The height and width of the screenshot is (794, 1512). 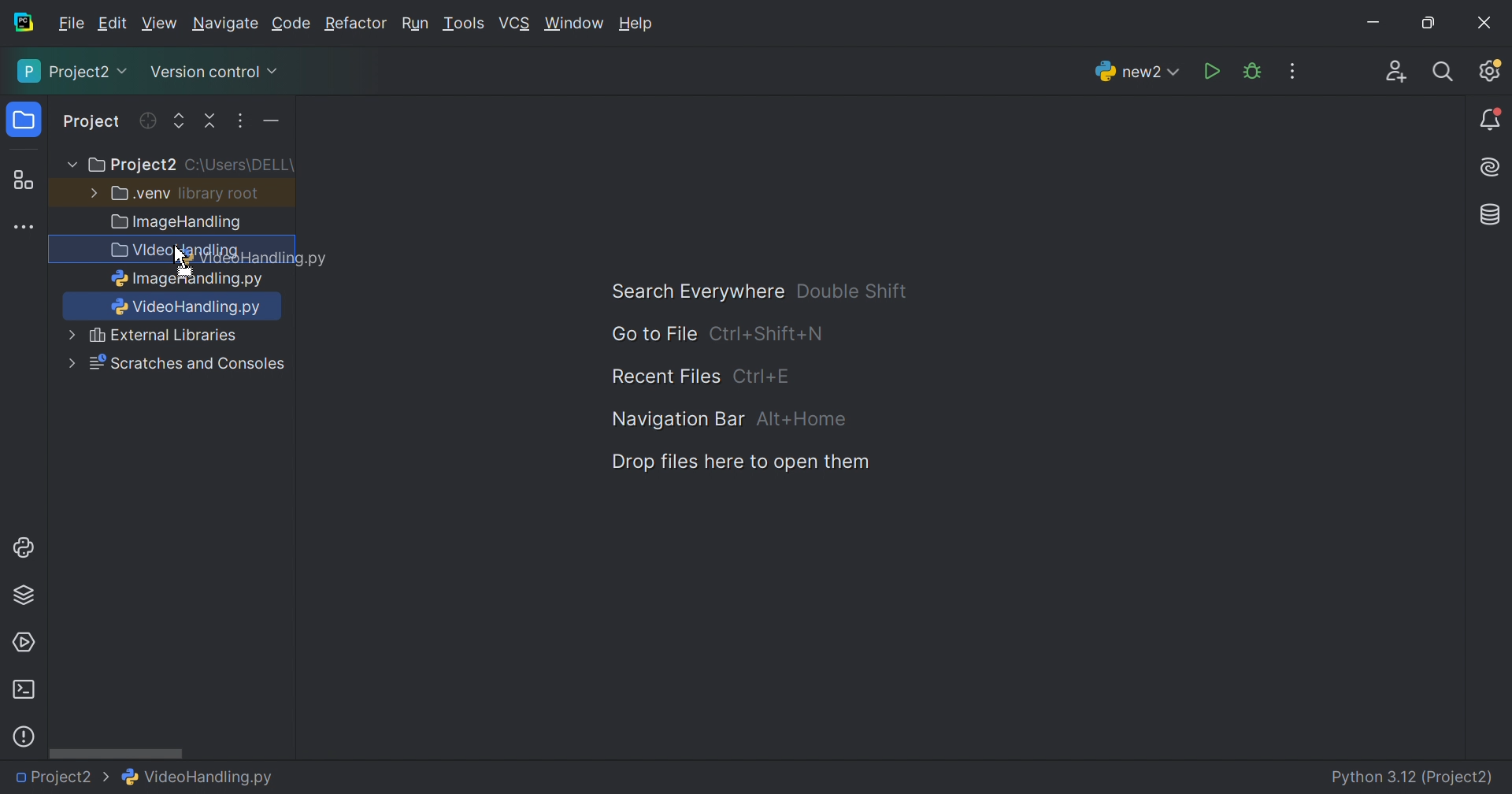 What do you see at coordinates (70, 334) in the screenshot?
I see `More` at bounding box center [70, 334].